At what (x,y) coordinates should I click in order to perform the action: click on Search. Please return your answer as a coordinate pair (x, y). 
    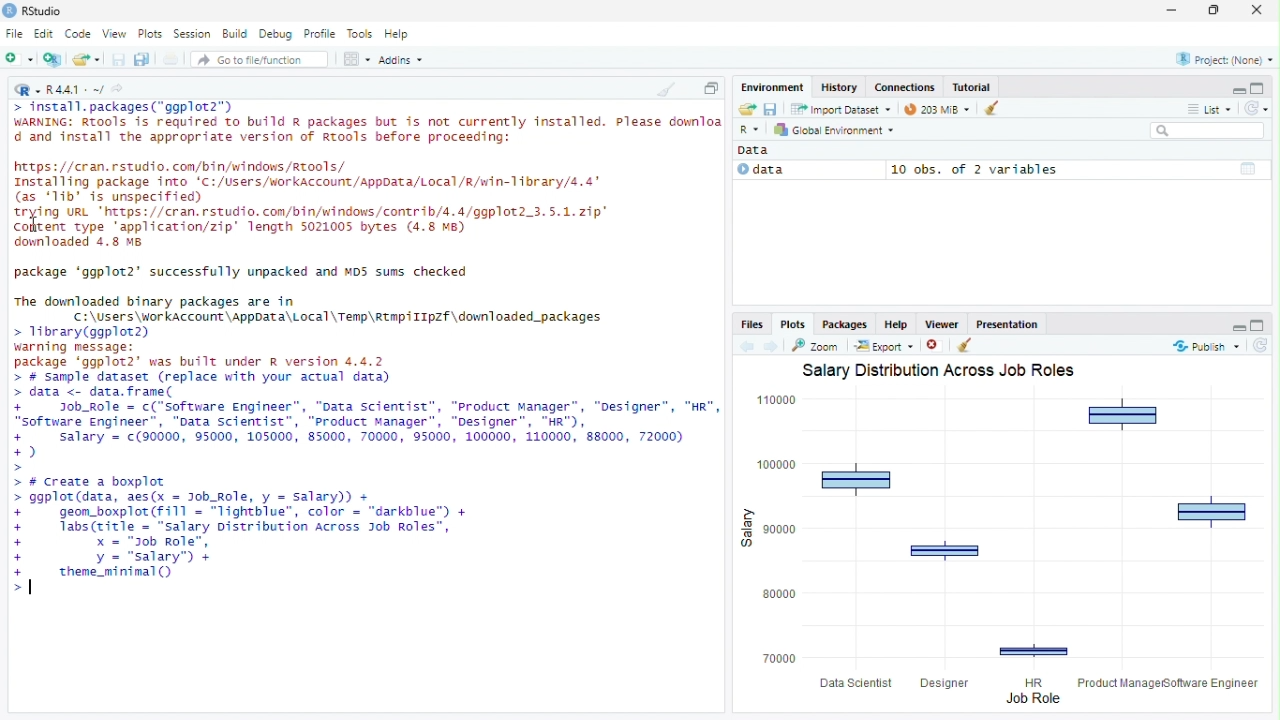
    Looking at the image, I should click on (1209, 131).